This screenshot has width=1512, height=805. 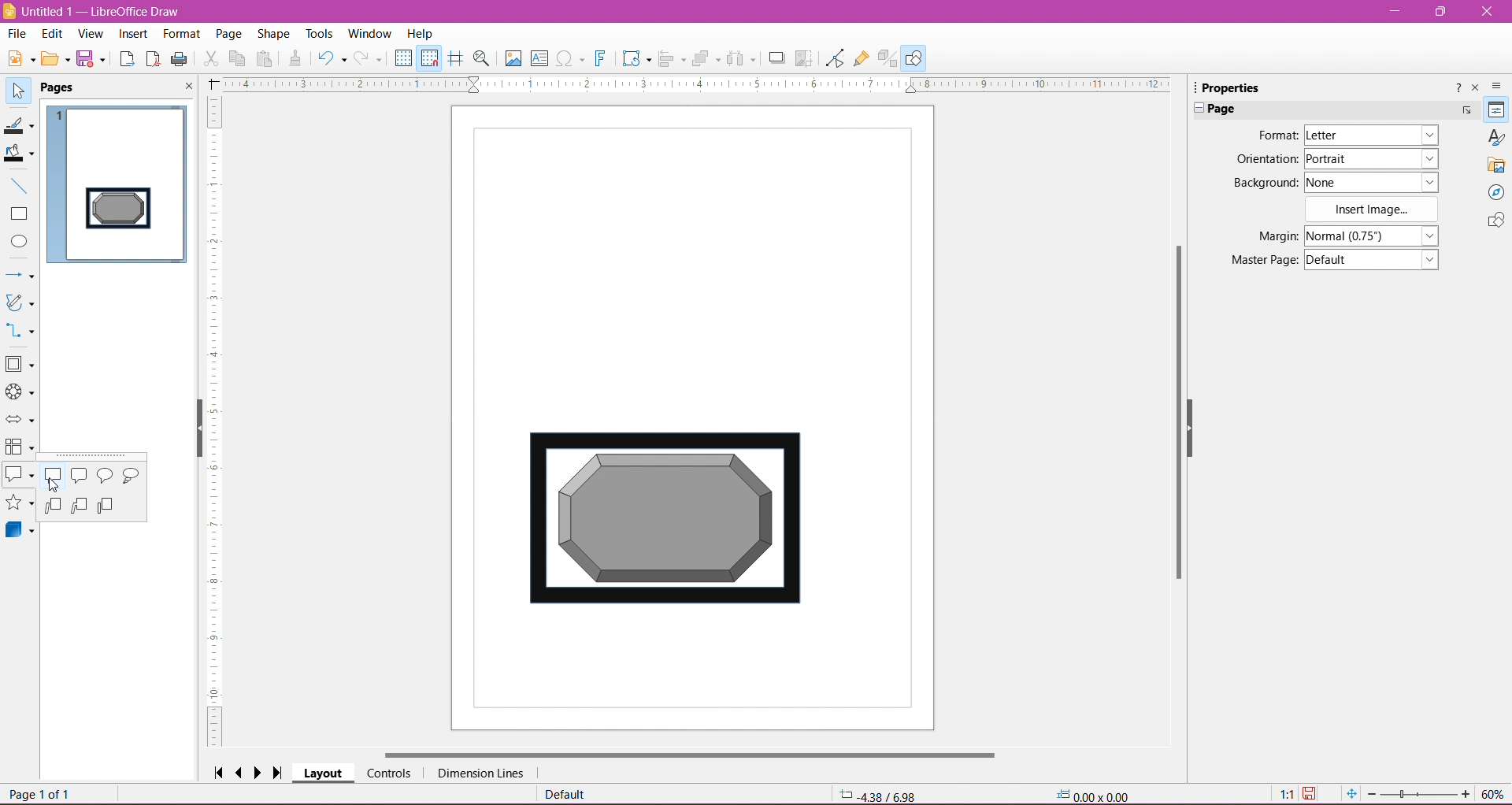 What do you see at coordinates (480, 773) in the screenshot?
I see `Dimension Lines` at bounding box center [480, 773].